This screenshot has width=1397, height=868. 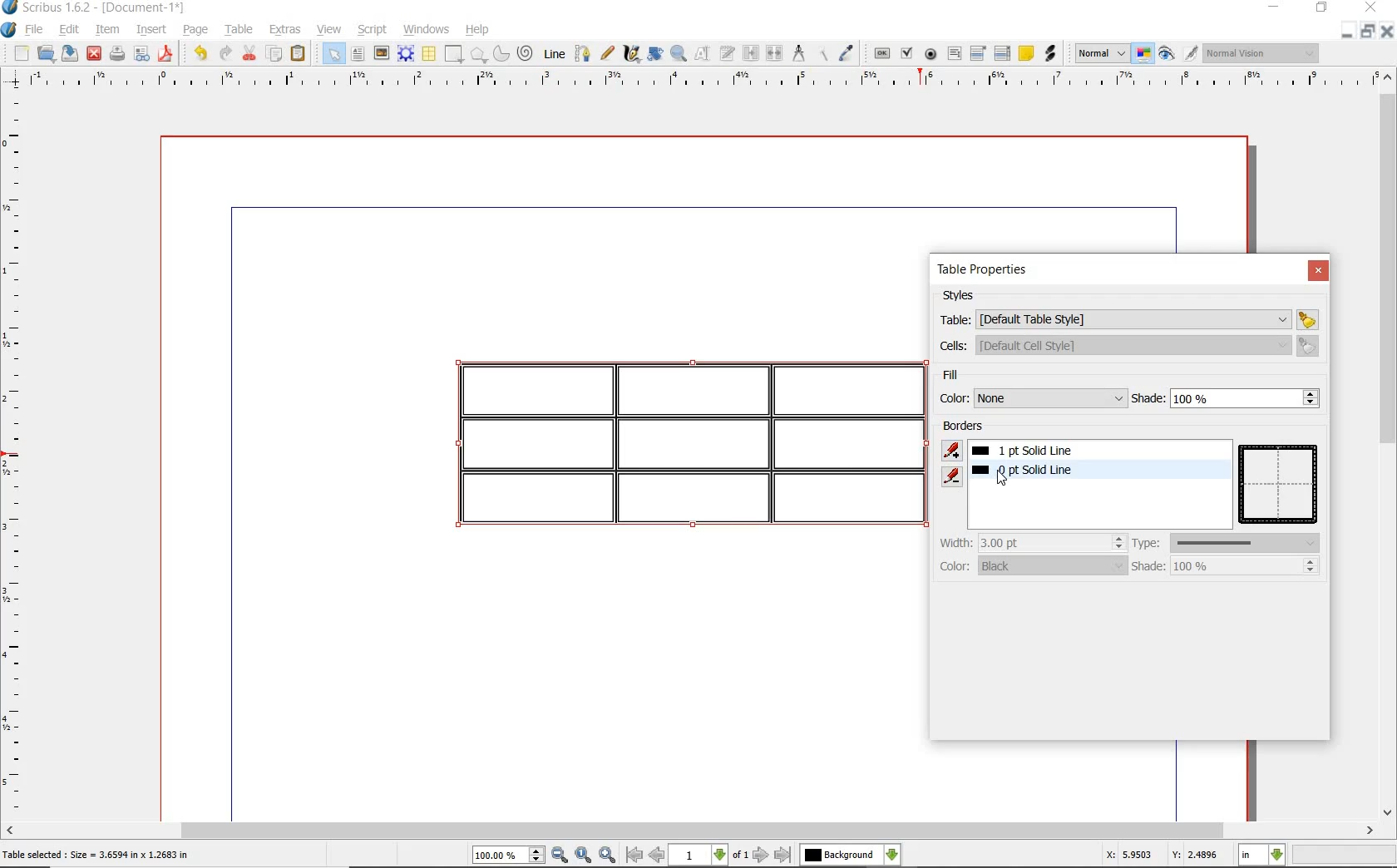 I want to click on close, so click(x=95, y=53).